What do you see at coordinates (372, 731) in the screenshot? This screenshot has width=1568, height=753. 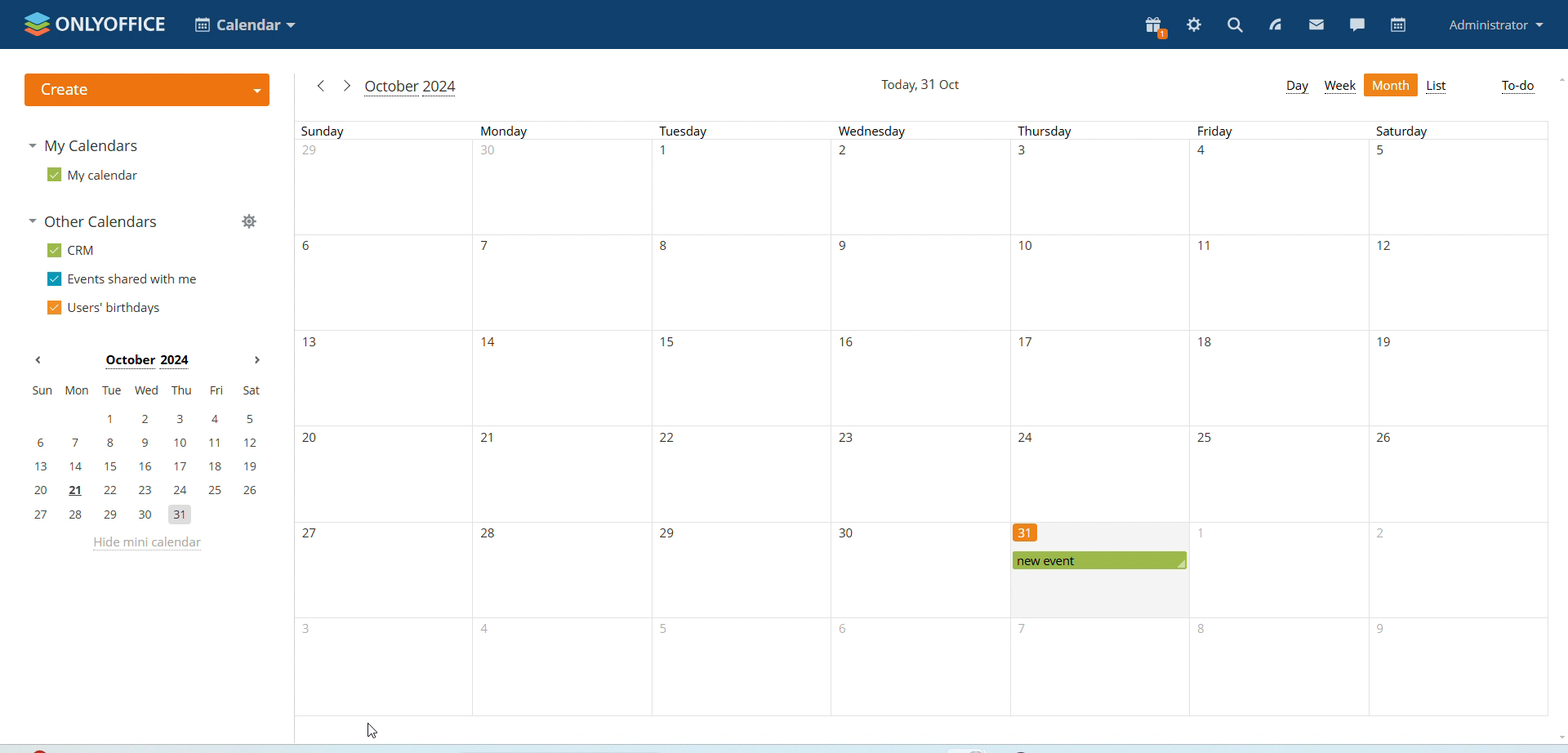 I see `cursor` at bounding box center [372, 731].